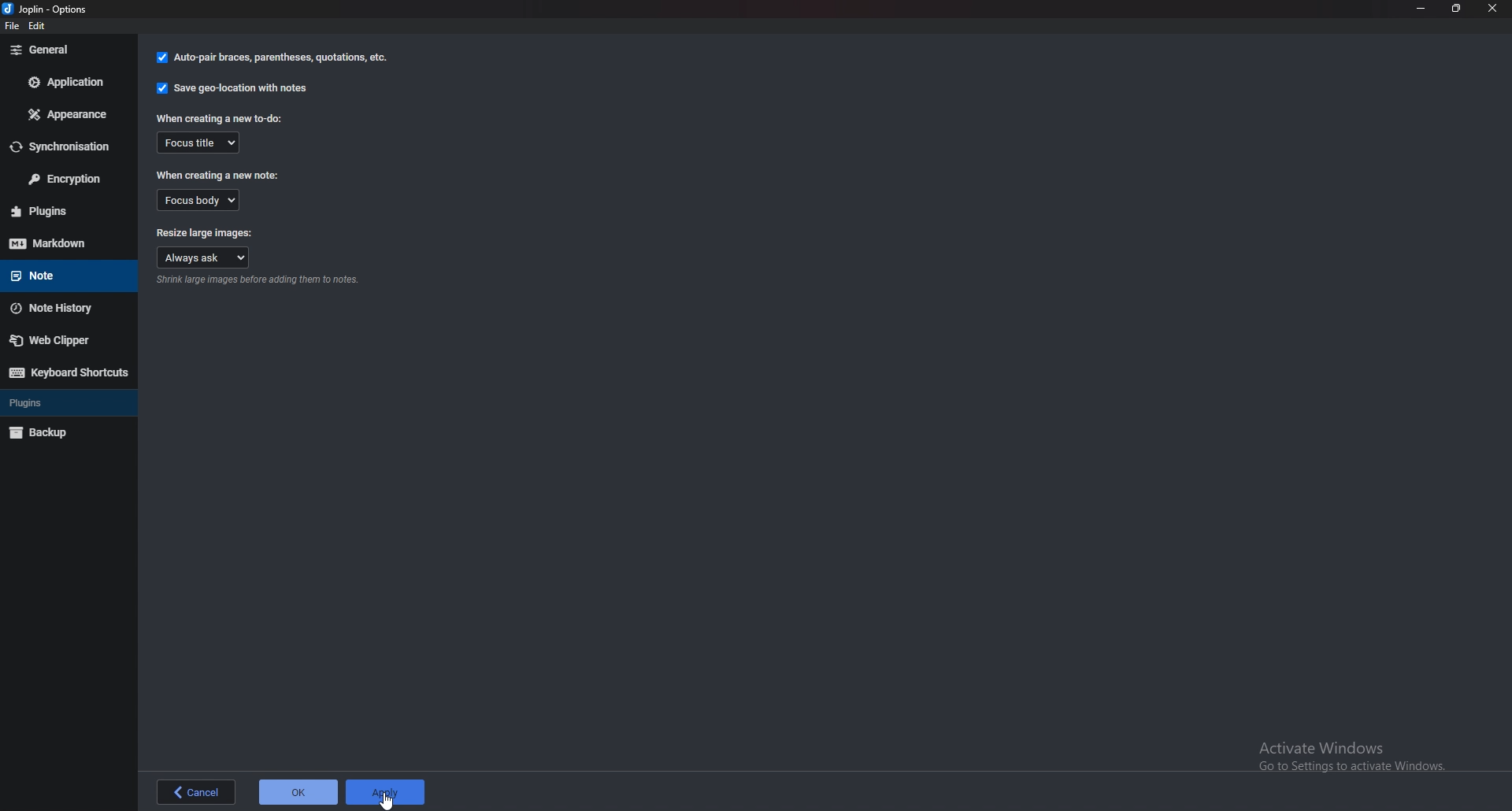  I want to click on Backup, so click(66, 431).